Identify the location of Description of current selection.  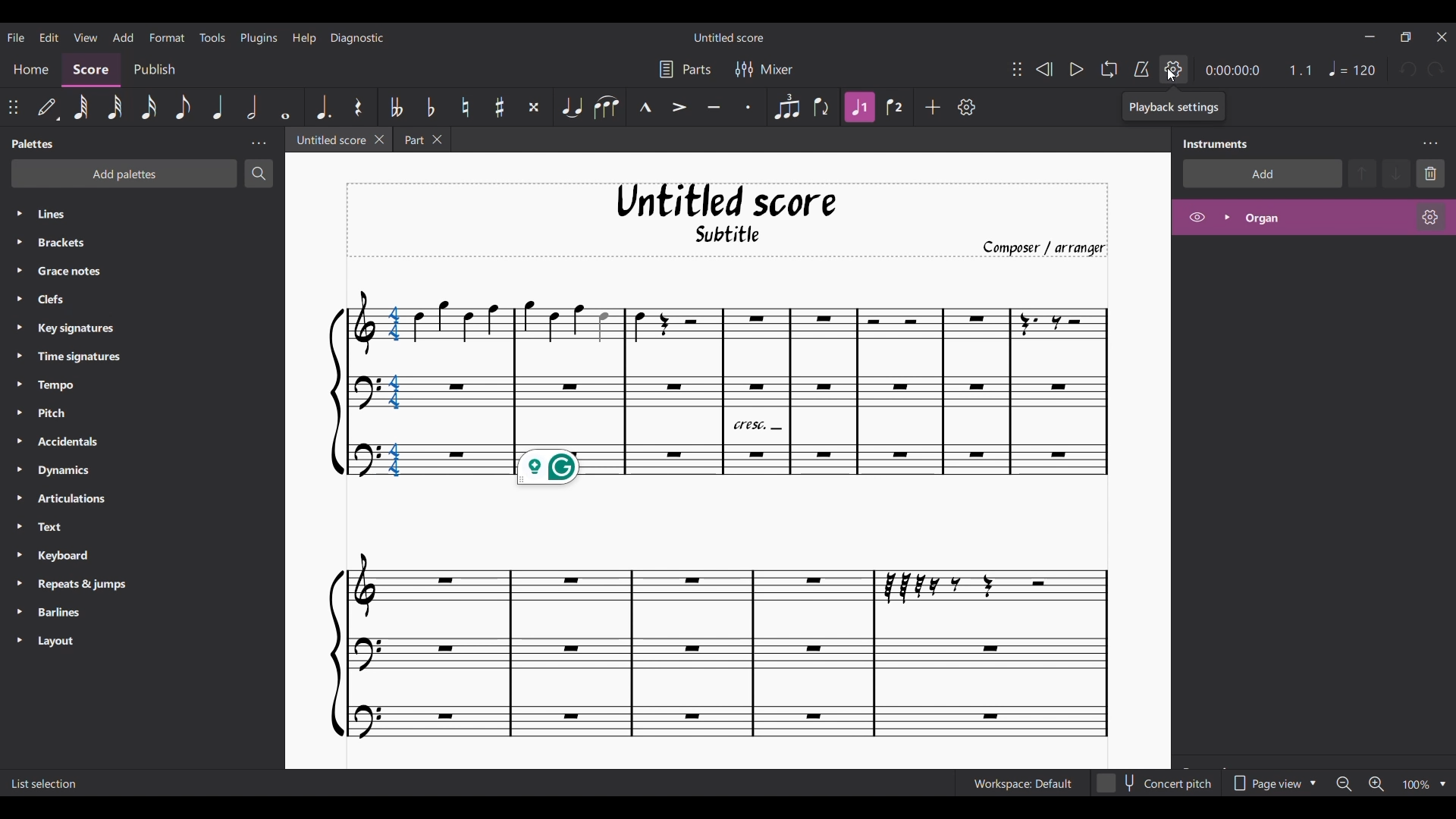
(1174, 106).